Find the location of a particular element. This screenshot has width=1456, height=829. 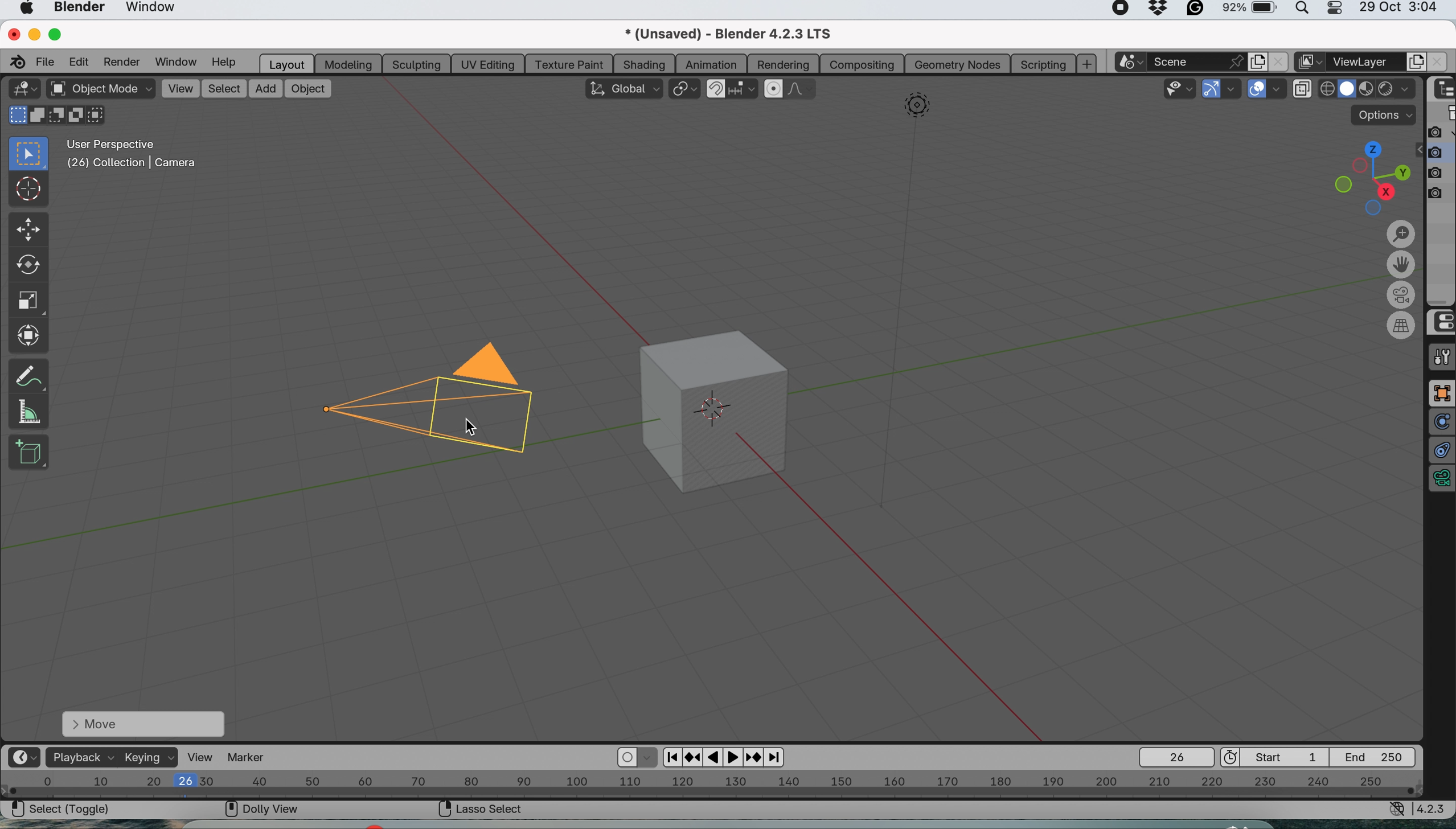

previous is located at coordinates (670, 756).